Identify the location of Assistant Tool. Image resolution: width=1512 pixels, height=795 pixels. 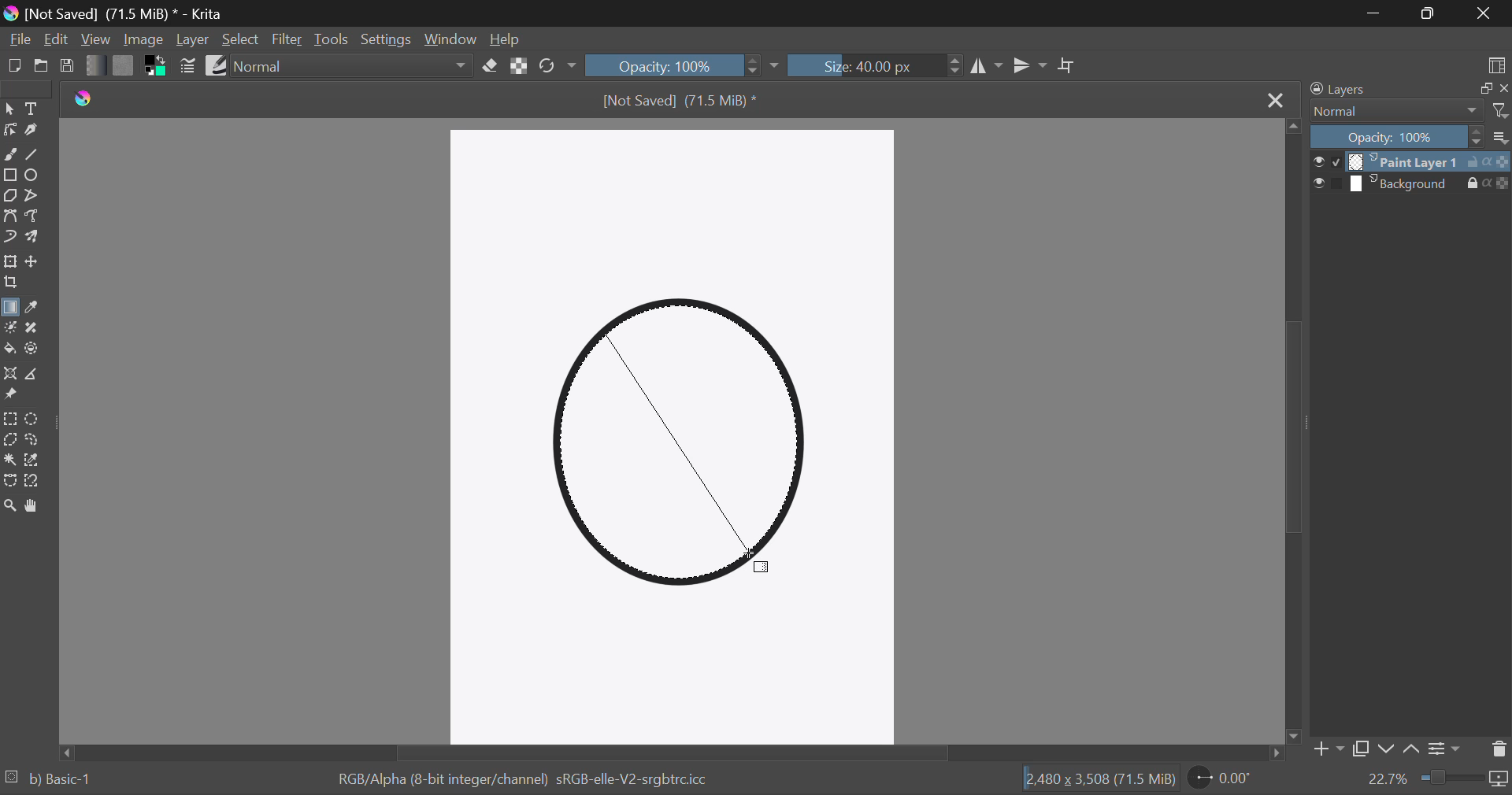
(10, 372).